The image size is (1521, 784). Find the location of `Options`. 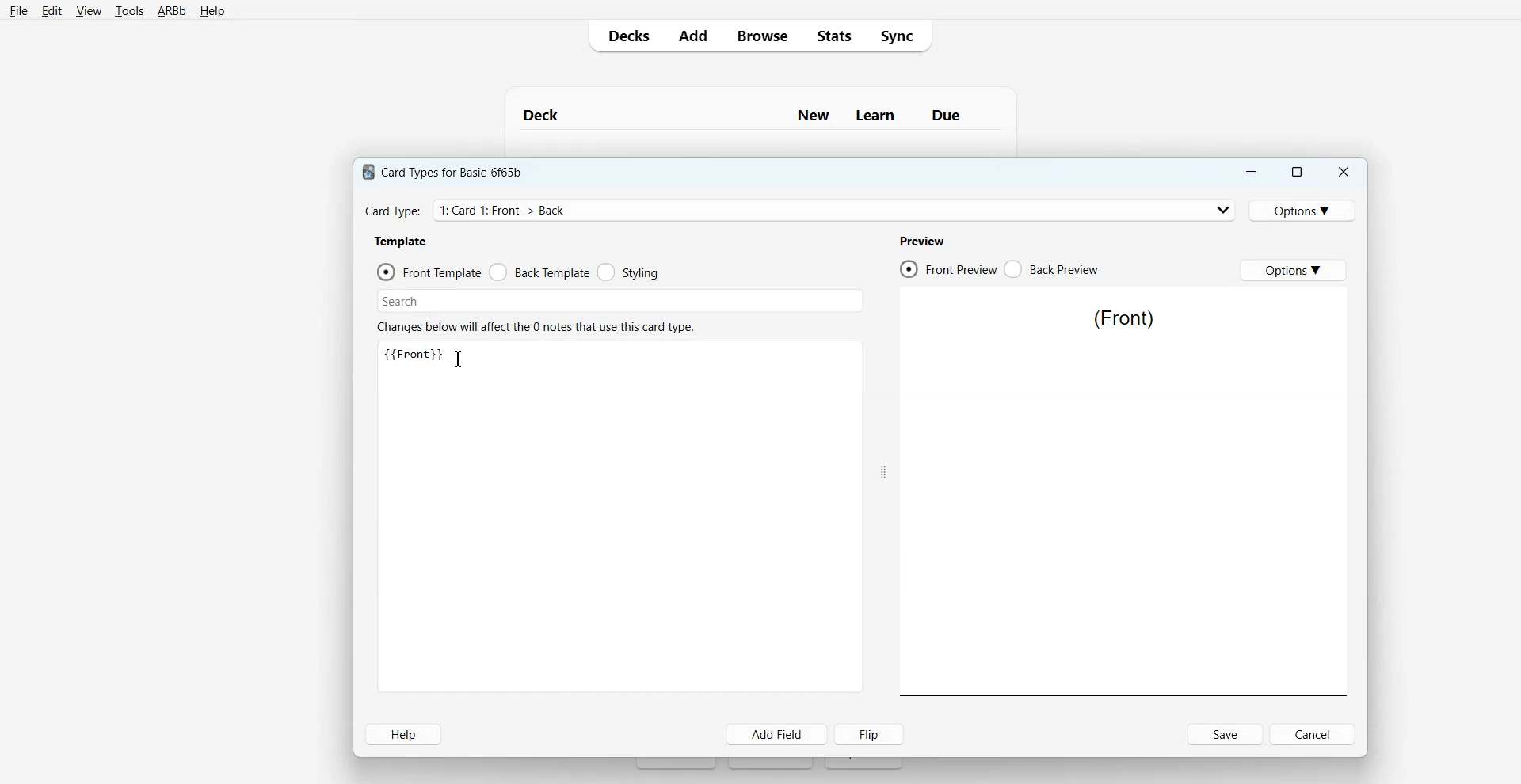

Options is located at coordinates (1306, 209).